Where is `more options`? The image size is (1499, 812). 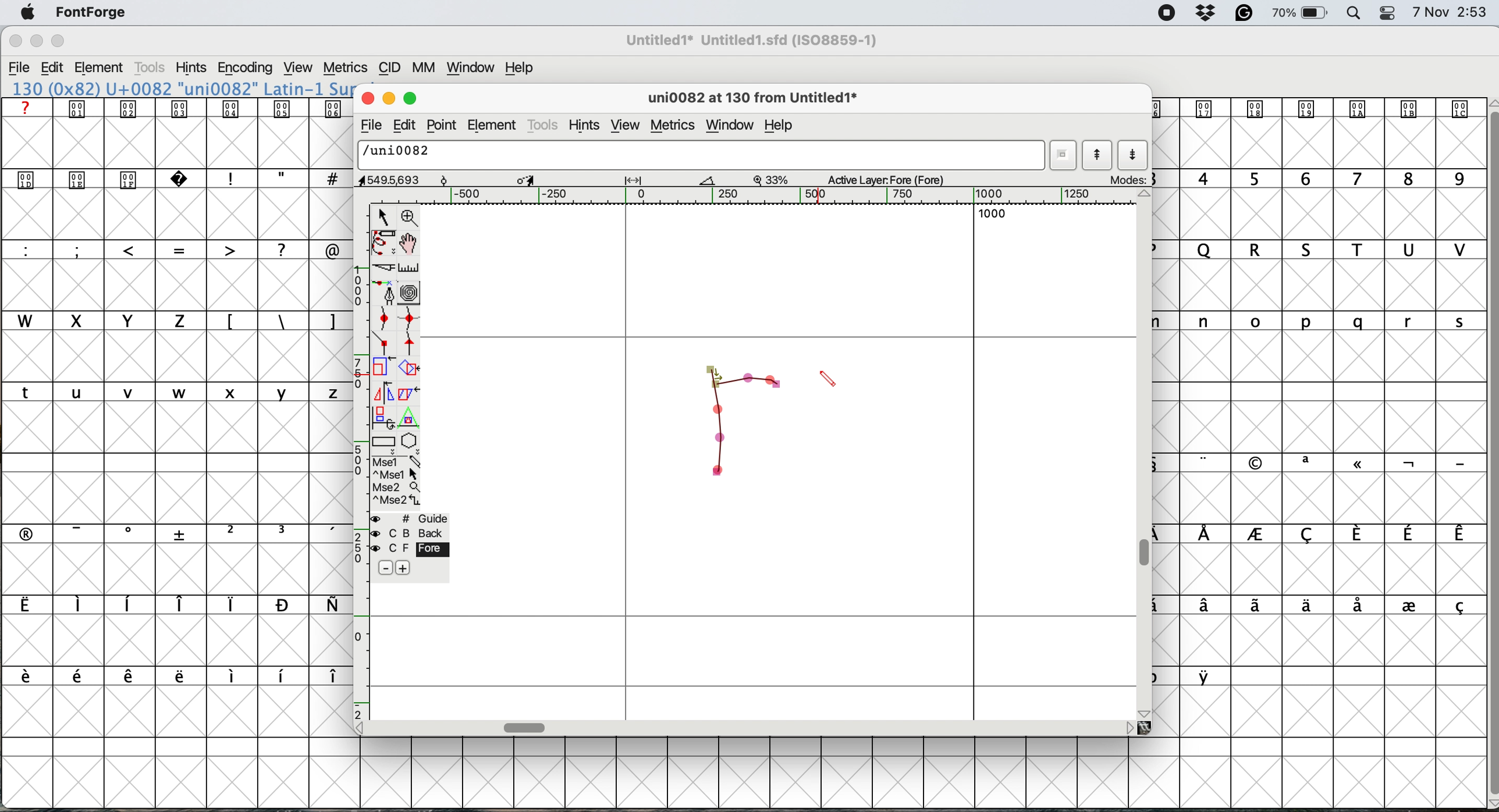
more options is located at coordinates (395, 482).